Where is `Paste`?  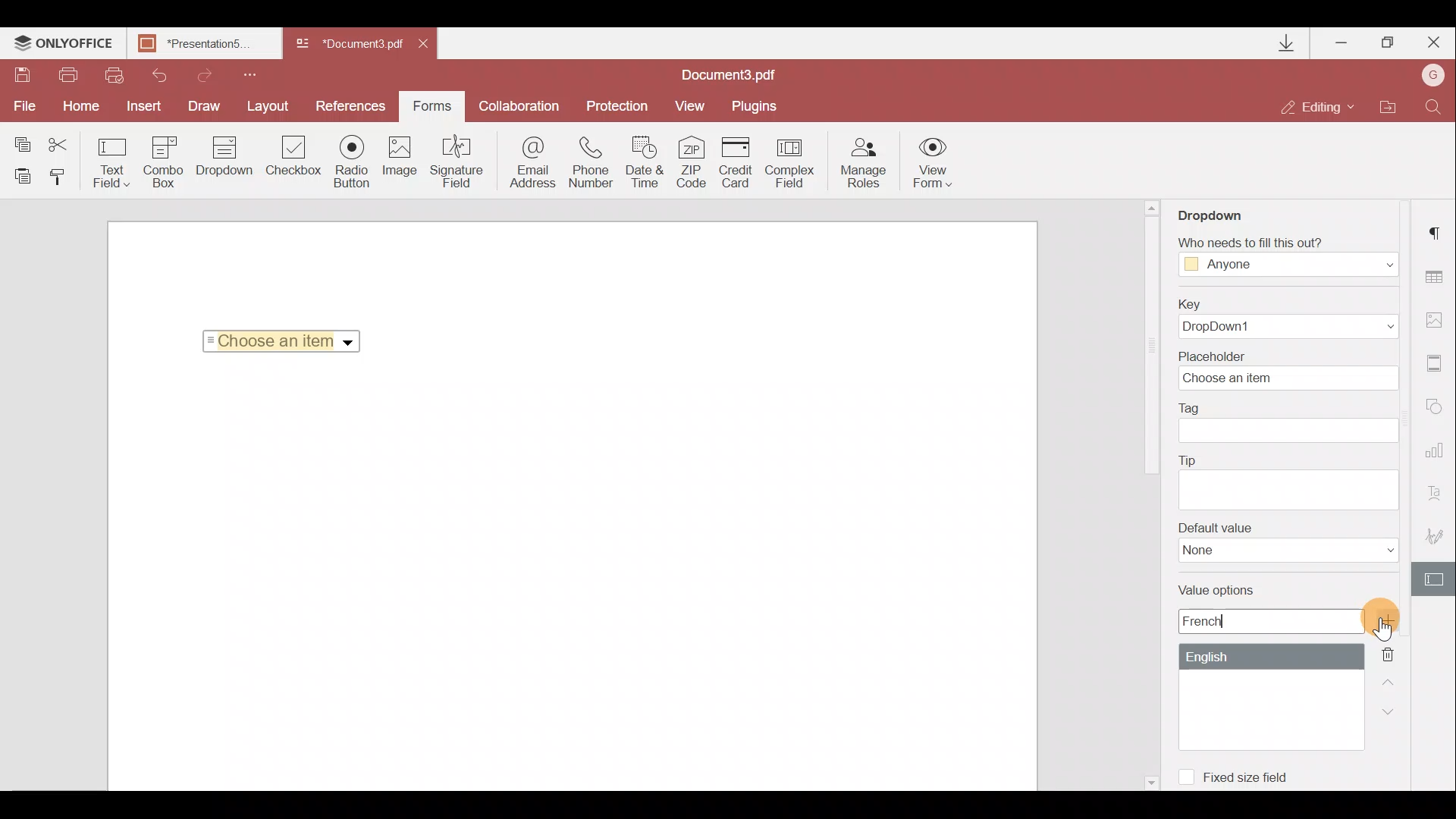 Paste is located at coordinates (23, 175).